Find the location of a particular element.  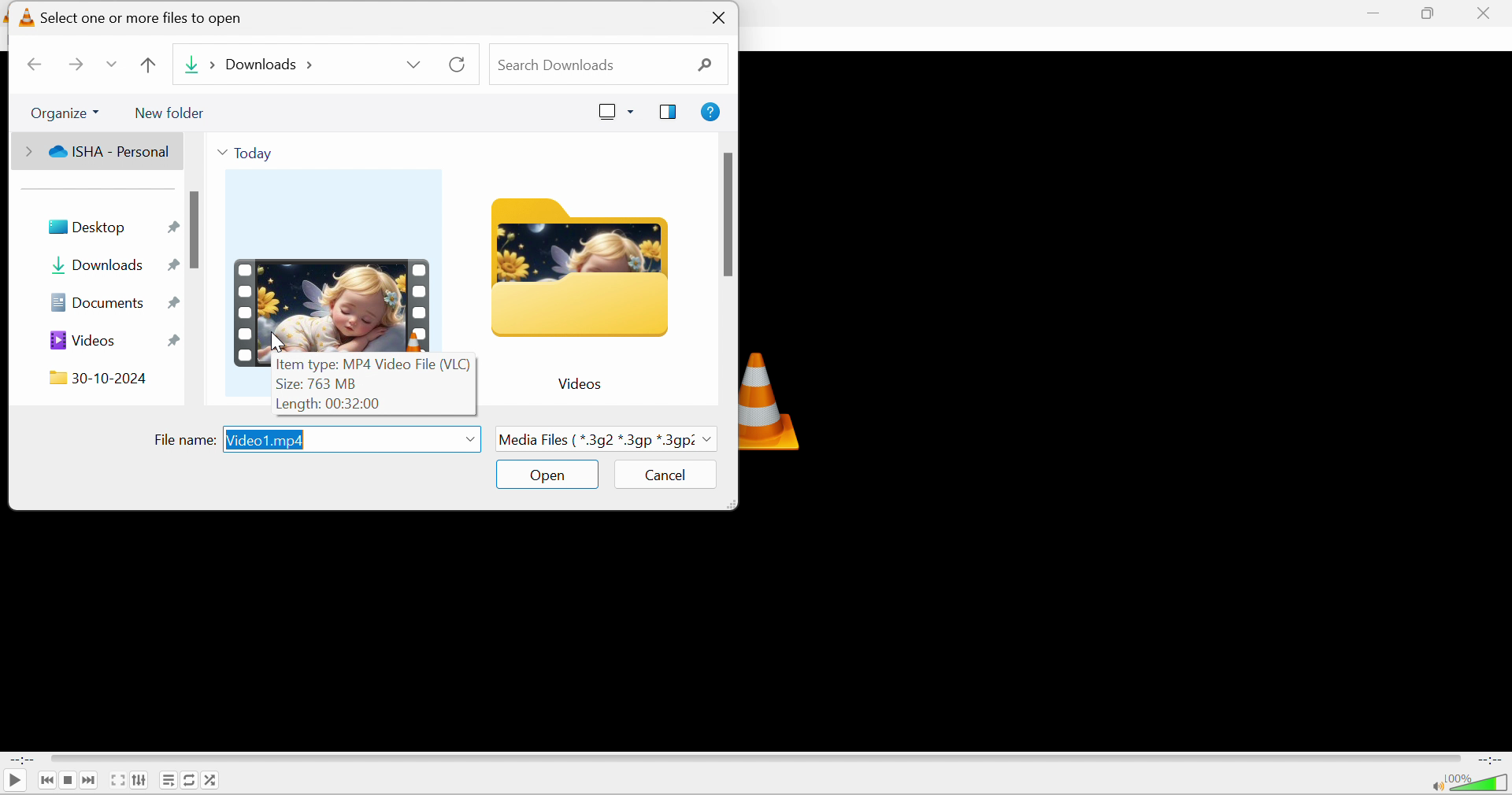

Refresh is located at coordinates (459, 68).